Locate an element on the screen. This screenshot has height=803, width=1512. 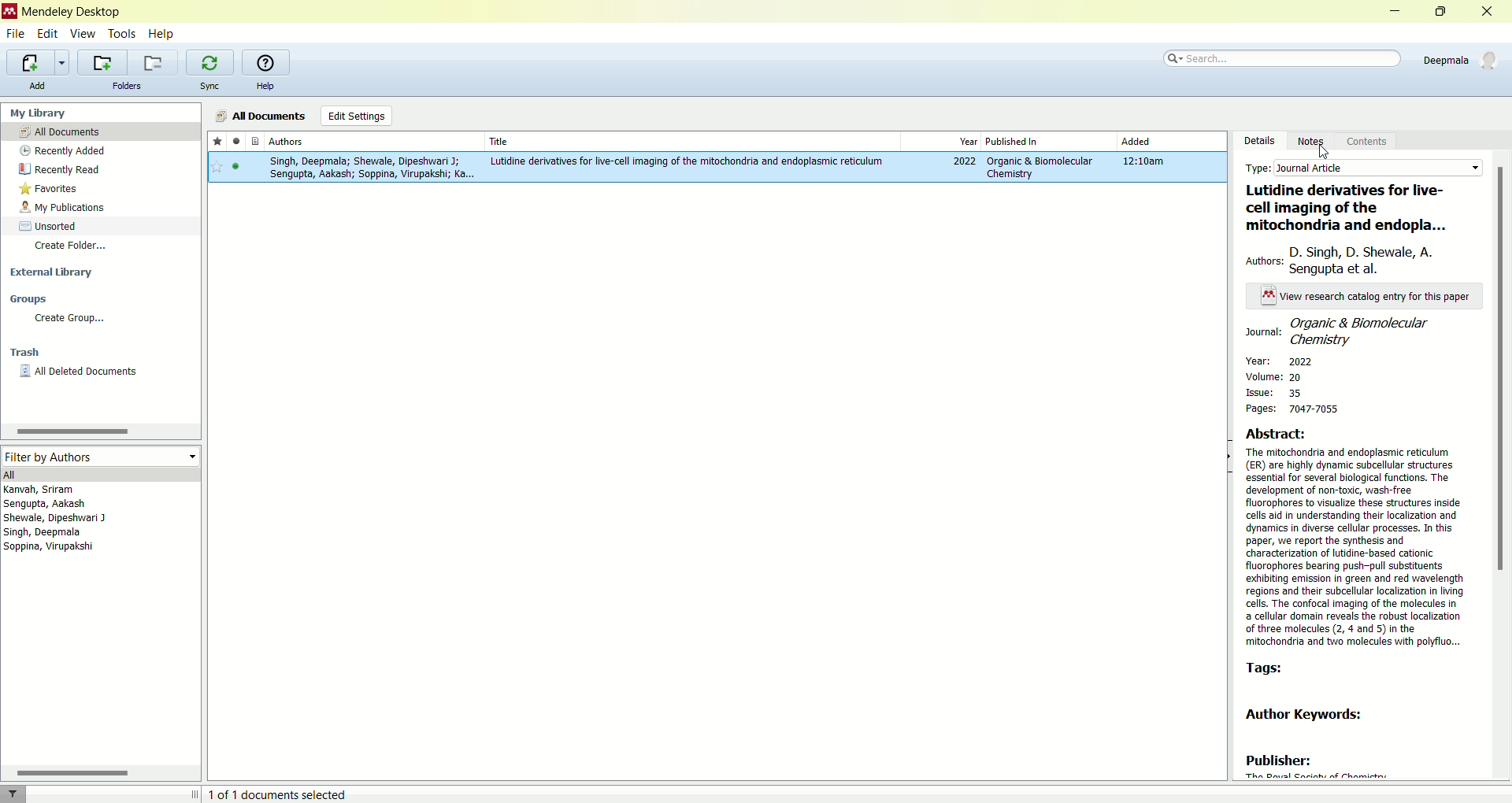
1 of 1 documents selected is located at coordinates (285, 791).